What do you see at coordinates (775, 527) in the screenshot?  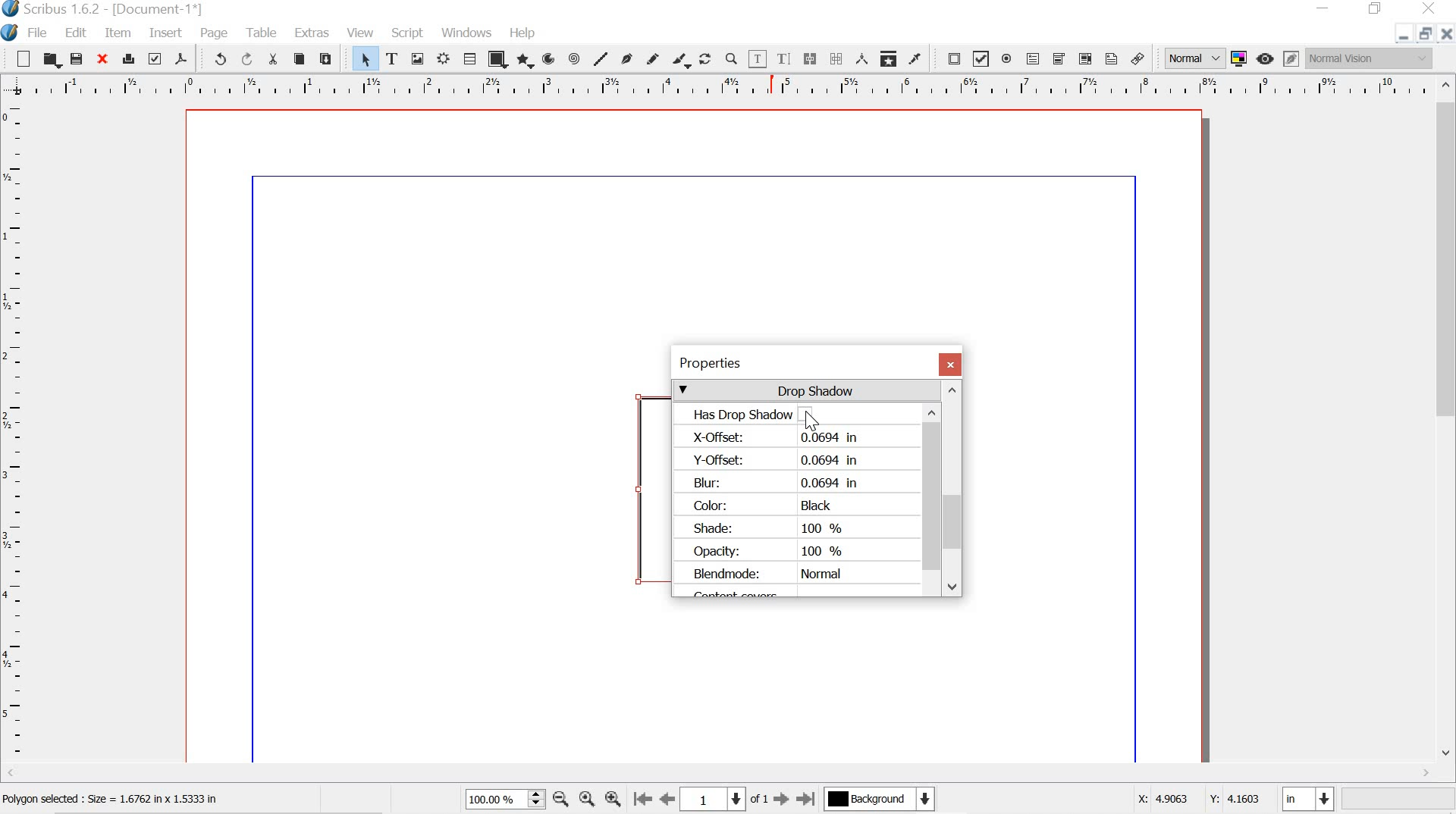 I see `Shade: 100 %` at bounding box center [775, 527].